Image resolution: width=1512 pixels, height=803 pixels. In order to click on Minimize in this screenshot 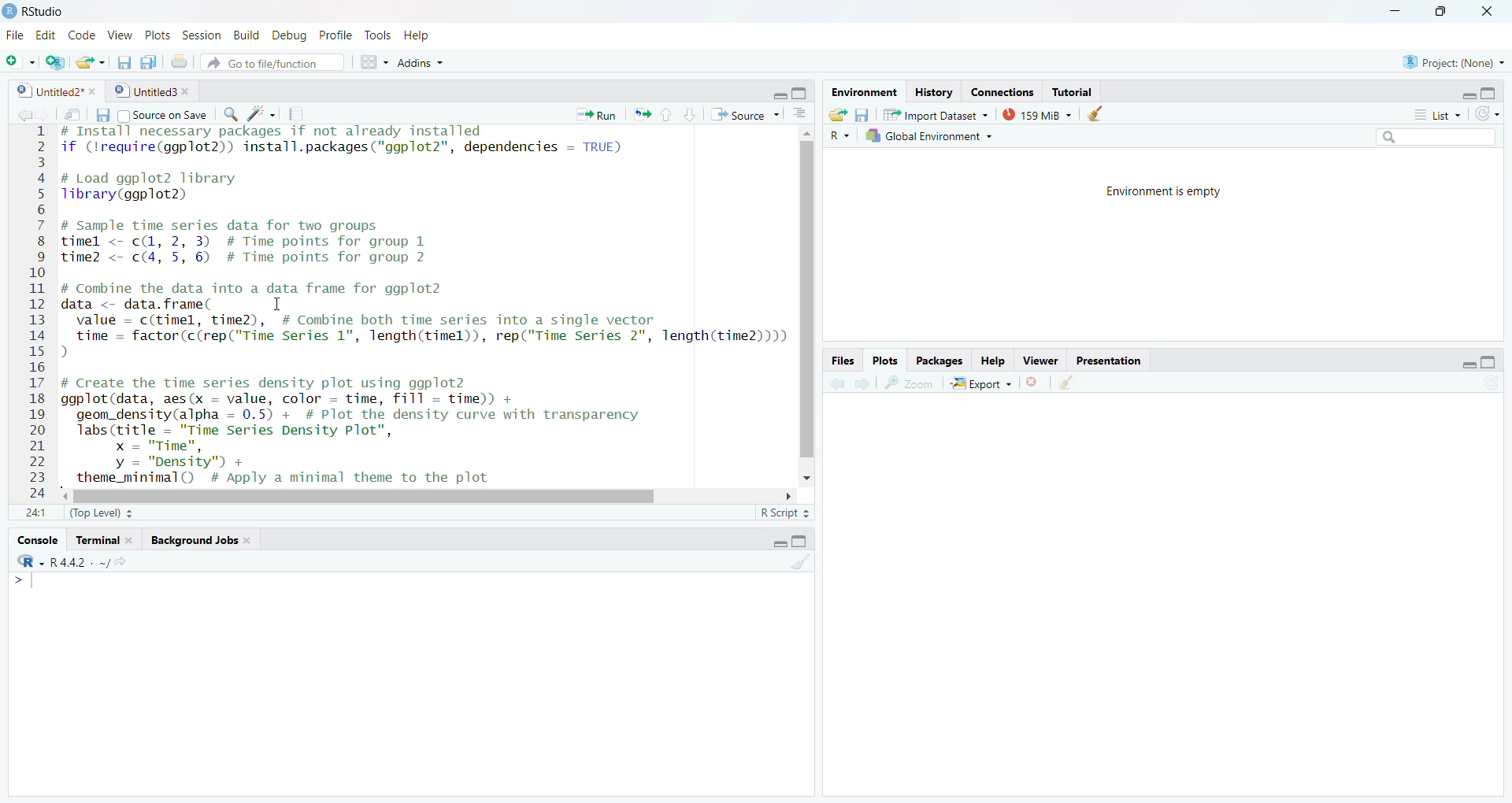, I will do `click(1459, 363)`.